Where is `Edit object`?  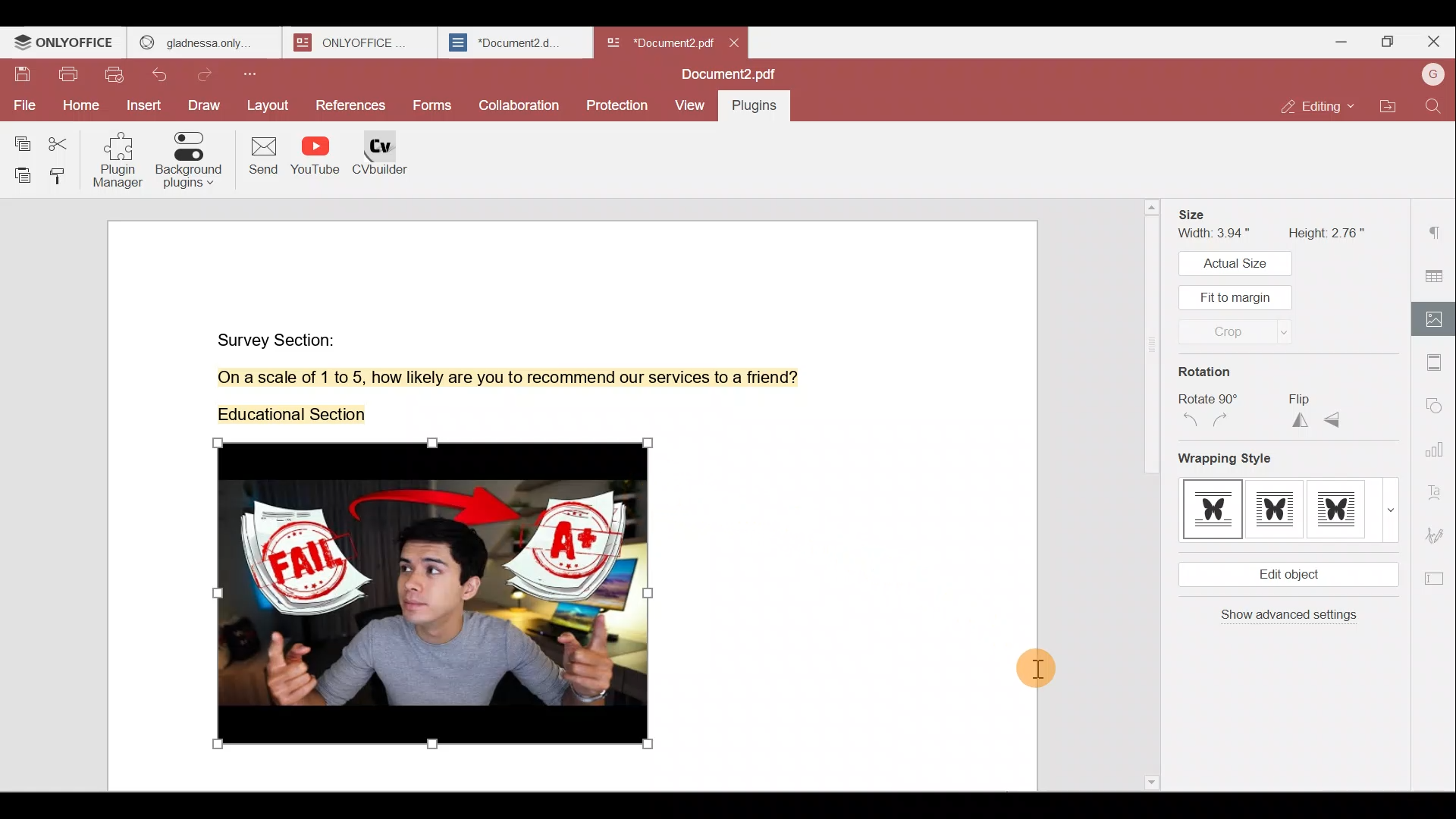 Edit object is located at coordinates (1291, 575).